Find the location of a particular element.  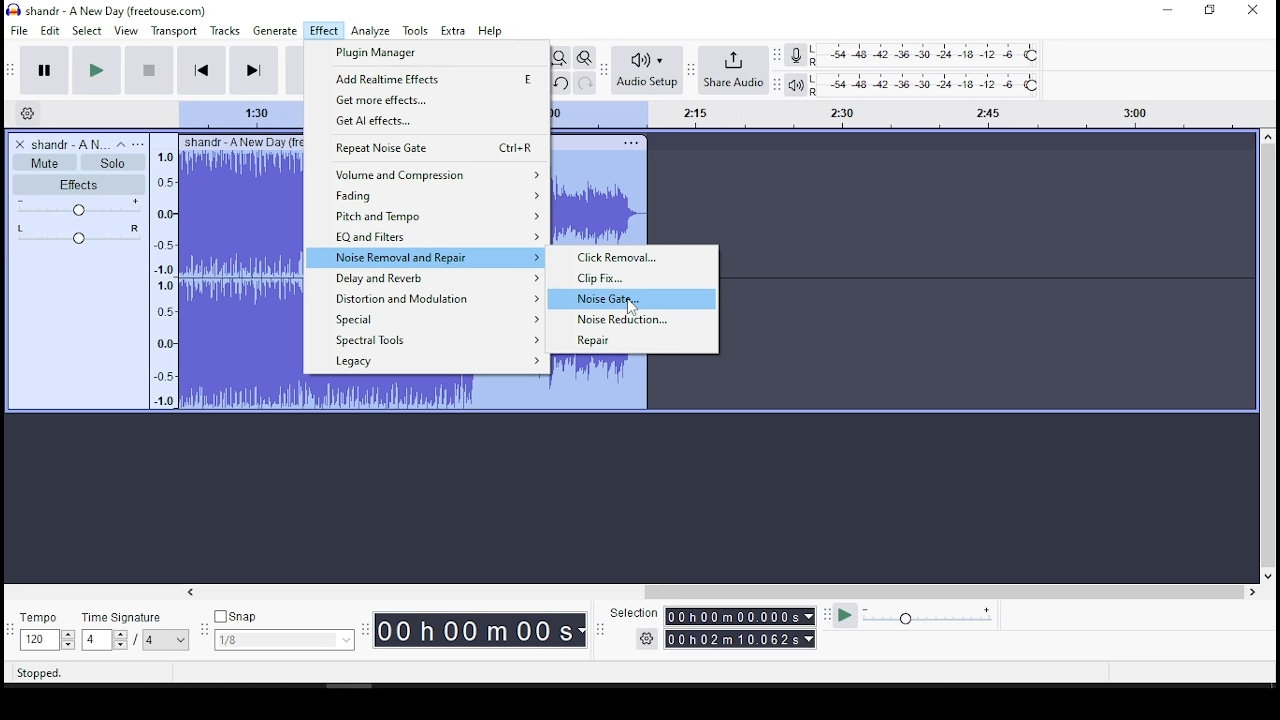

clip fix is located at coordinates (637, 279).